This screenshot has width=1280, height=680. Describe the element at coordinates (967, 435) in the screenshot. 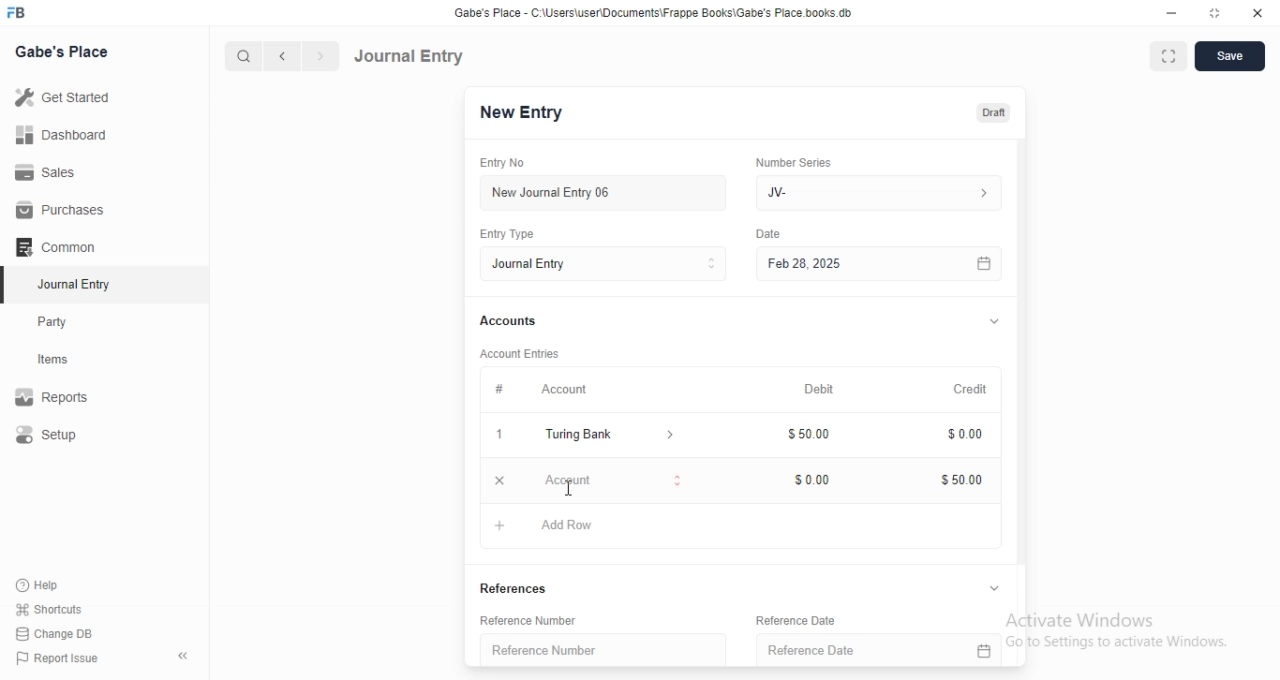

I see `$000` at that location.